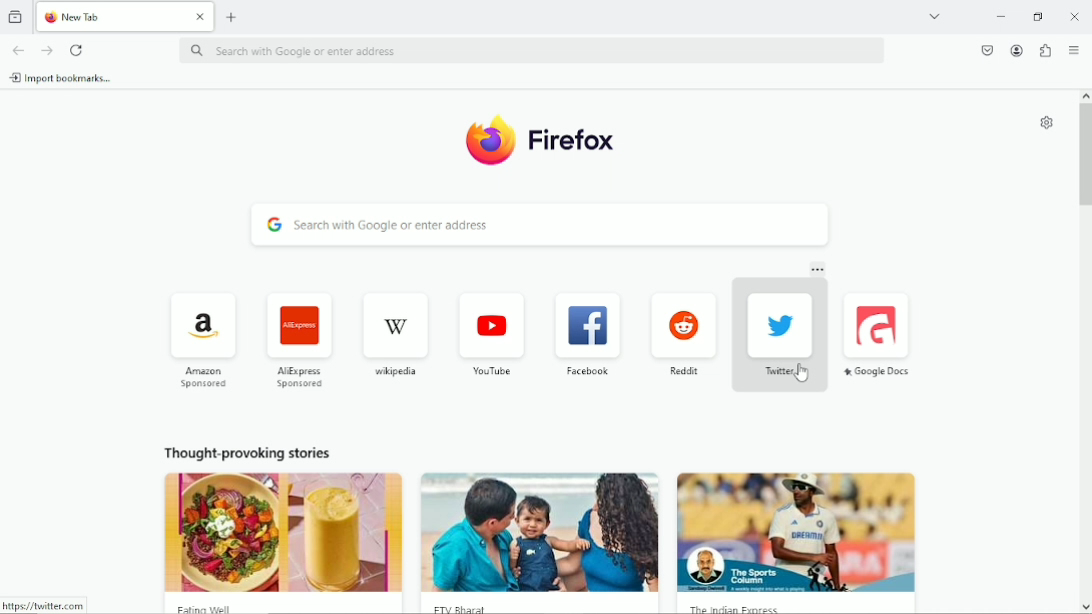 This screenshot has height=614, width=1092. What do you see at coordinates (77, 50) in the screenshot?
I see `reload current page` at bounding box center [77, 50].